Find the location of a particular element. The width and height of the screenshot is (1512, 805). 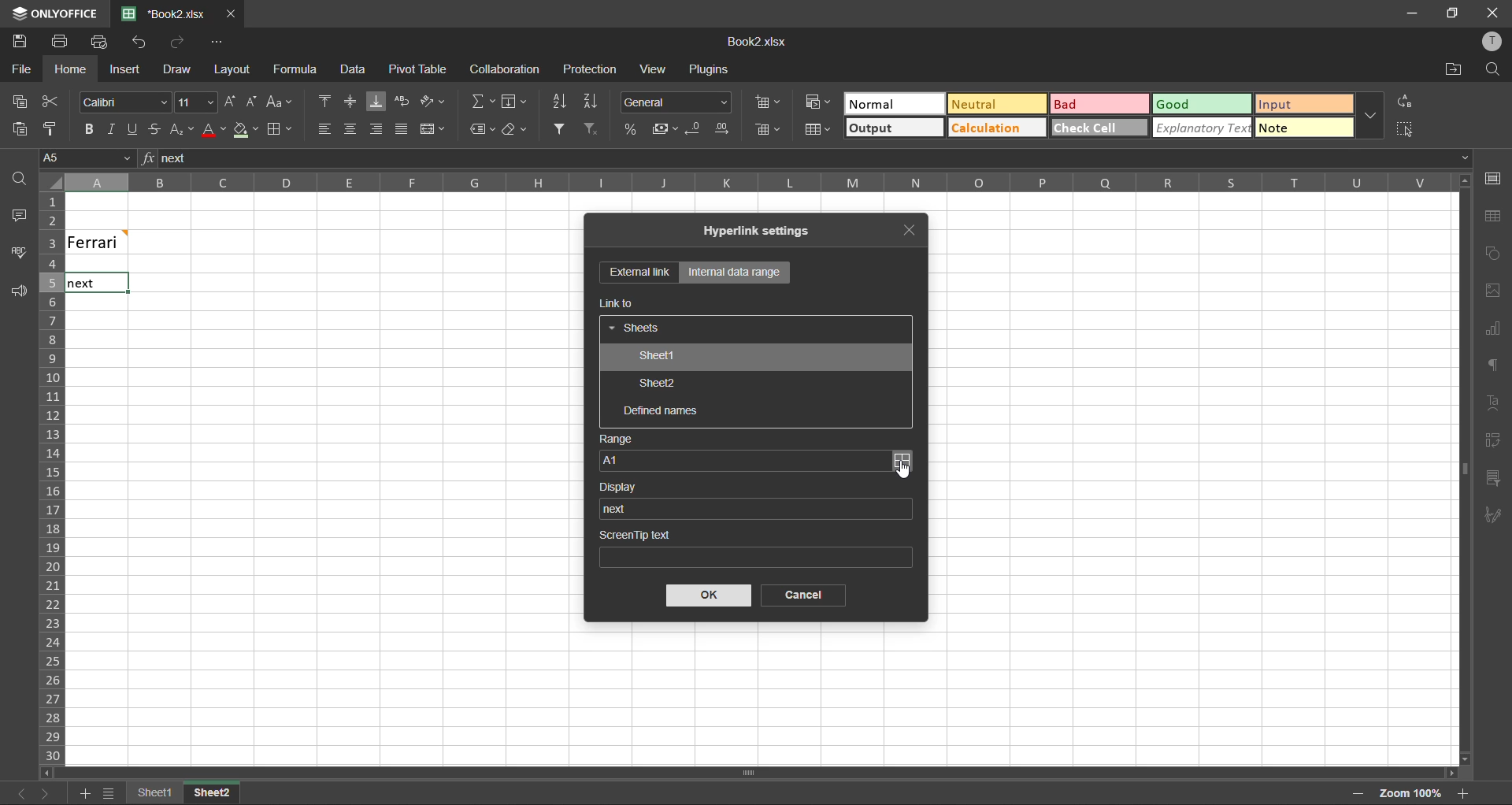

align center is located at coordinates (351, 127).